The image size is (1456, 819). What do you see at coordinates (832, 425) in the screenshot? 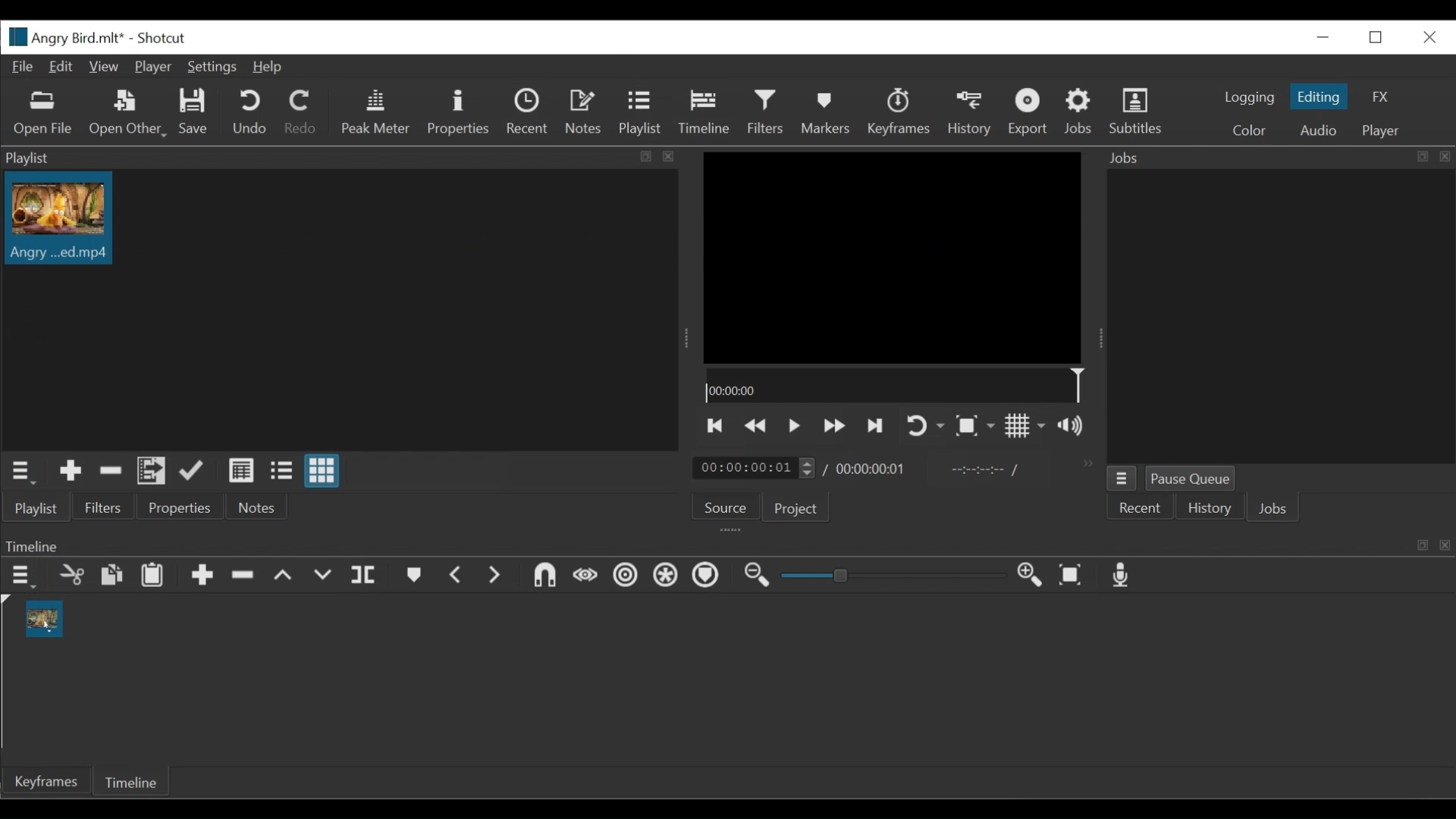
I see `Play forward quickly` at bounding box center [832, 425].